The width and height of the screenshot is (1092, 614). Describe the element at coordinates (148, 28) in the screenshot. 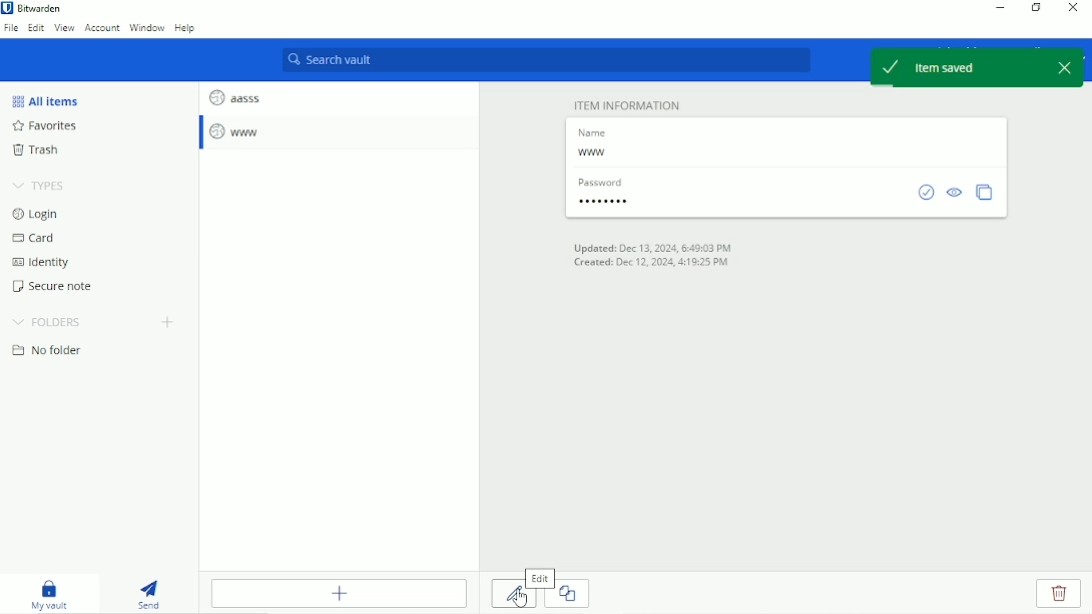

I see `Window` at that location.